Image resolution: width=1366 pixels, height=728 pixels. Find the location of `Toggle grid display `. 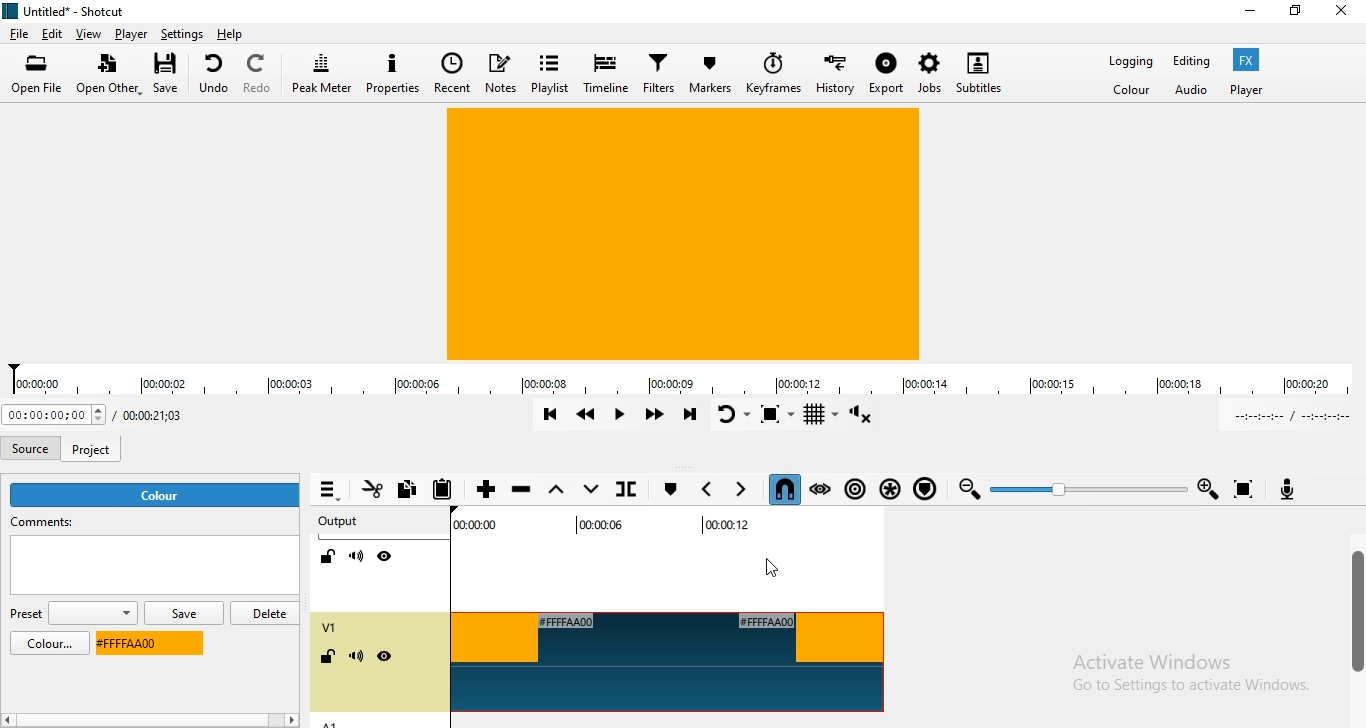

Toggle grid display  is located at coordinates (821, 415).